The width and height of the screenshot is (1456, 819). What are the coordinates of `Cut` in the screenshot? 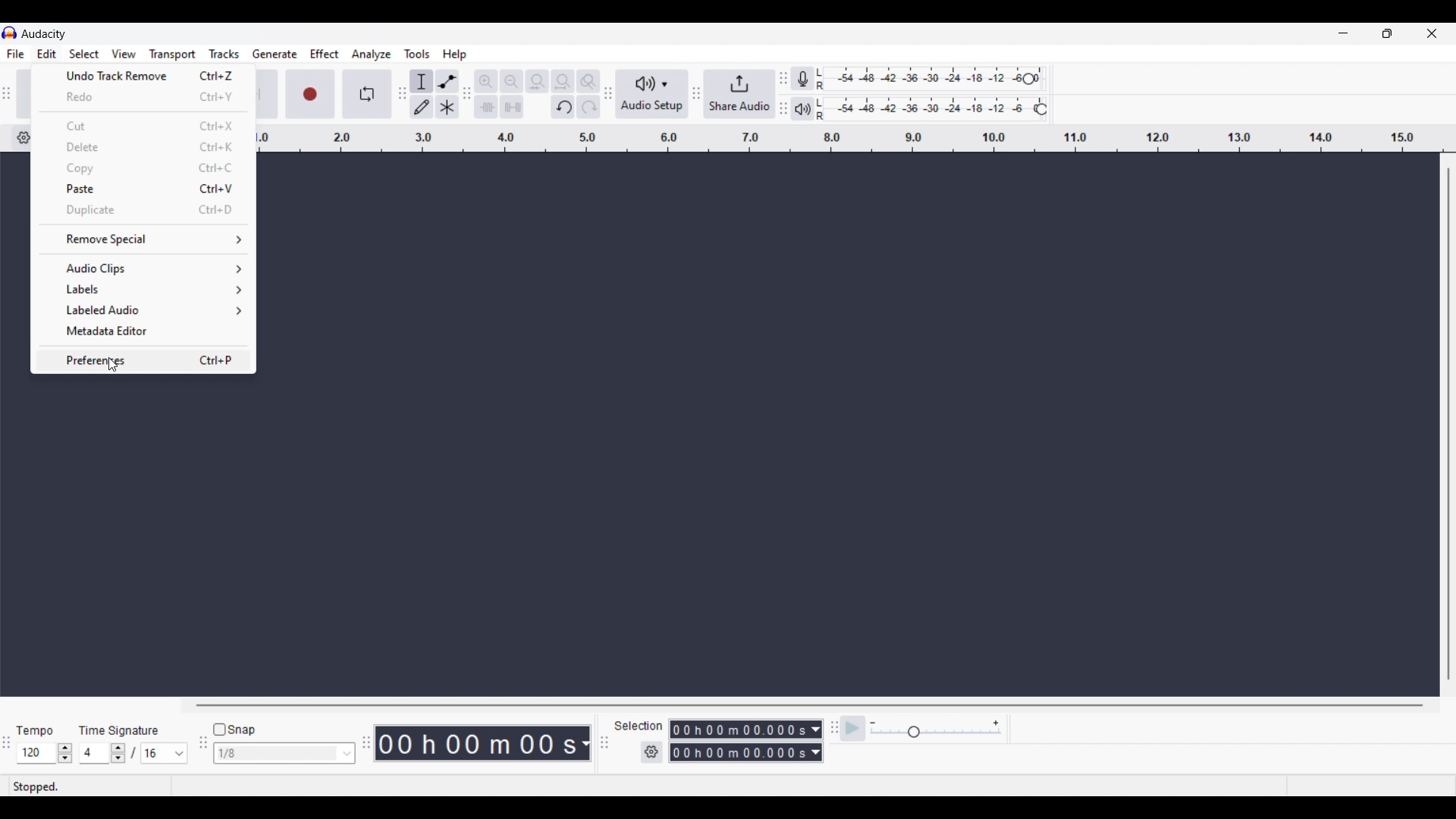 It's located at (145, 126).